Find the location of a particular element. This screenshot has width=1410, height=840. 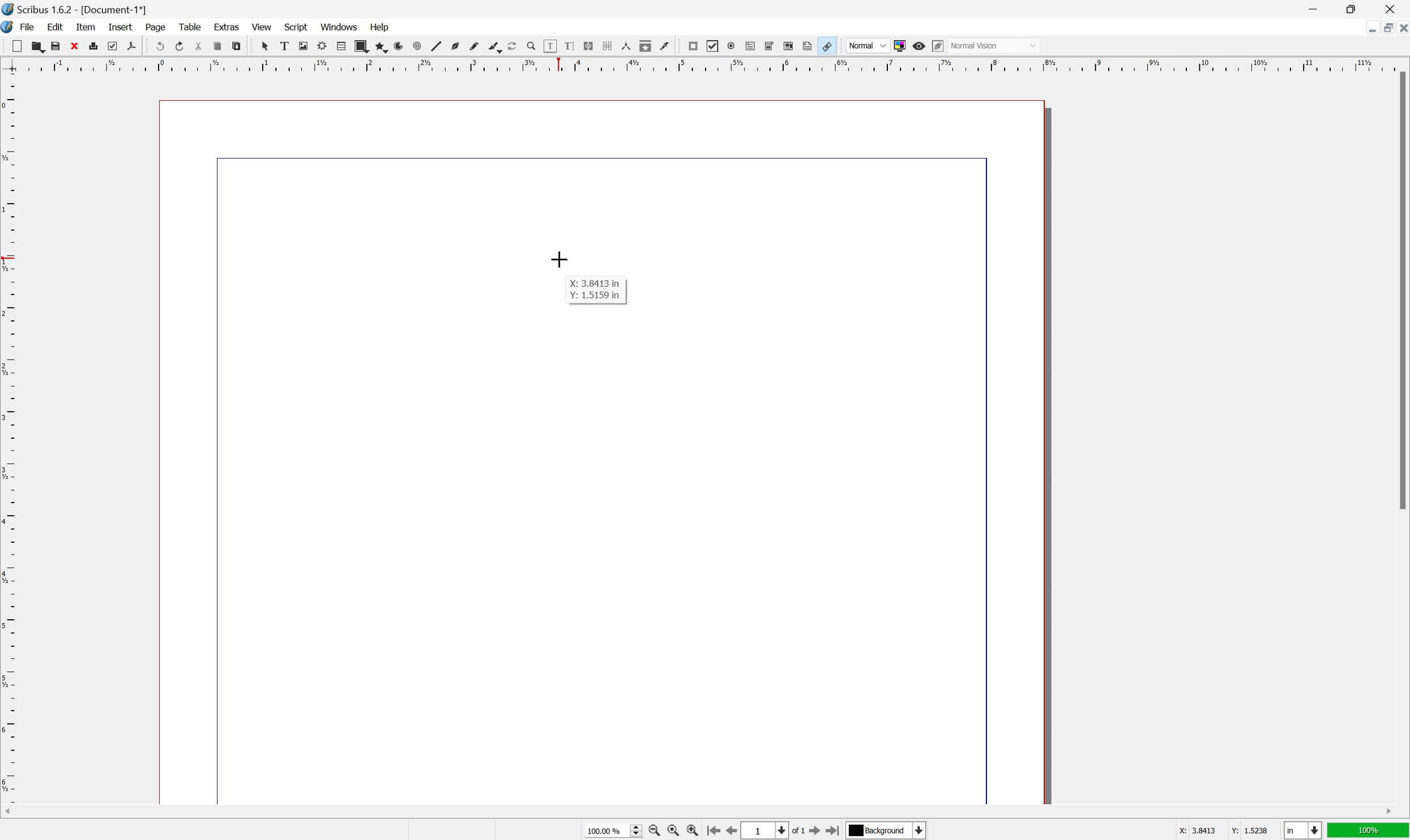

select current unit is located at coordinates (1302, 830).